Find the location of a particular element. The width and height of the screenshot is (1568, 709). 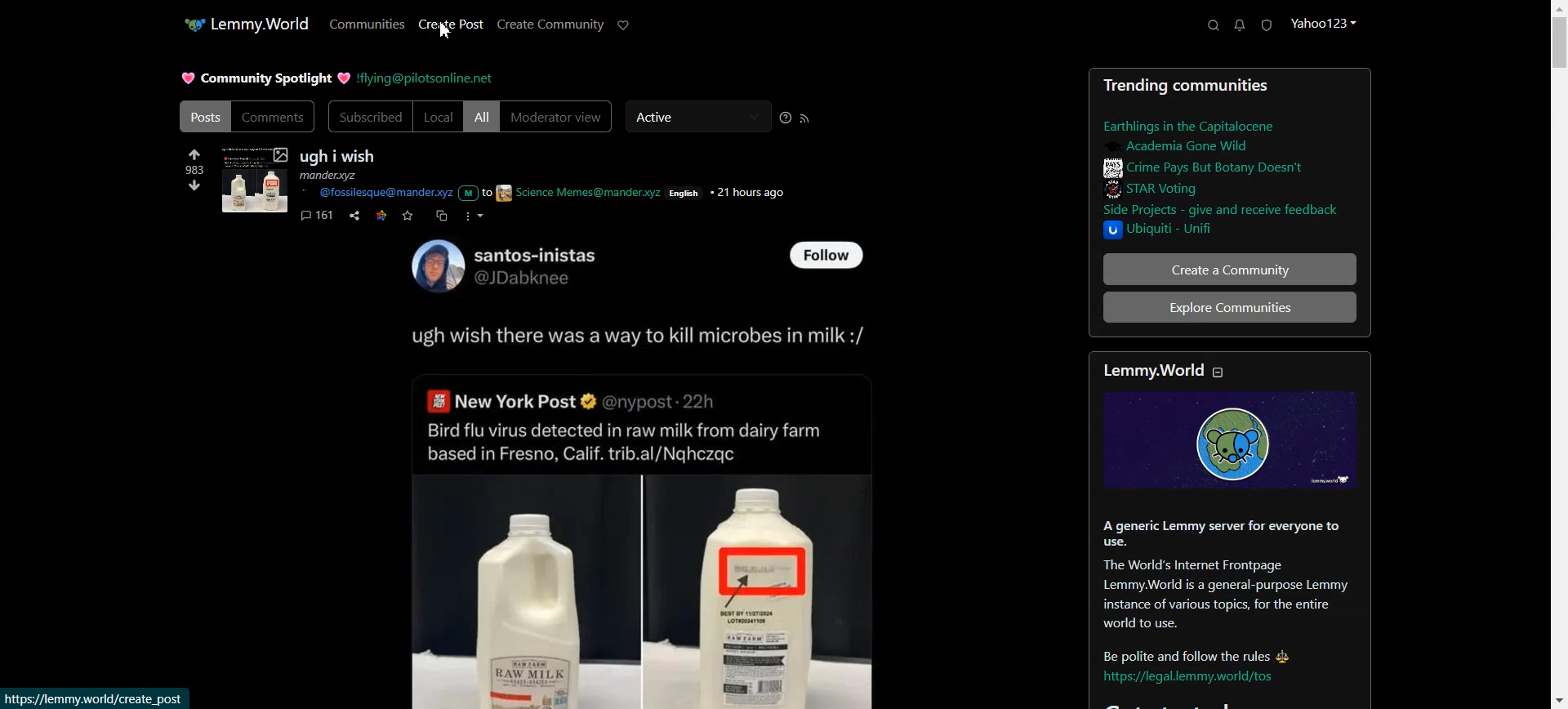

Local is located at coordinates (440, 116).